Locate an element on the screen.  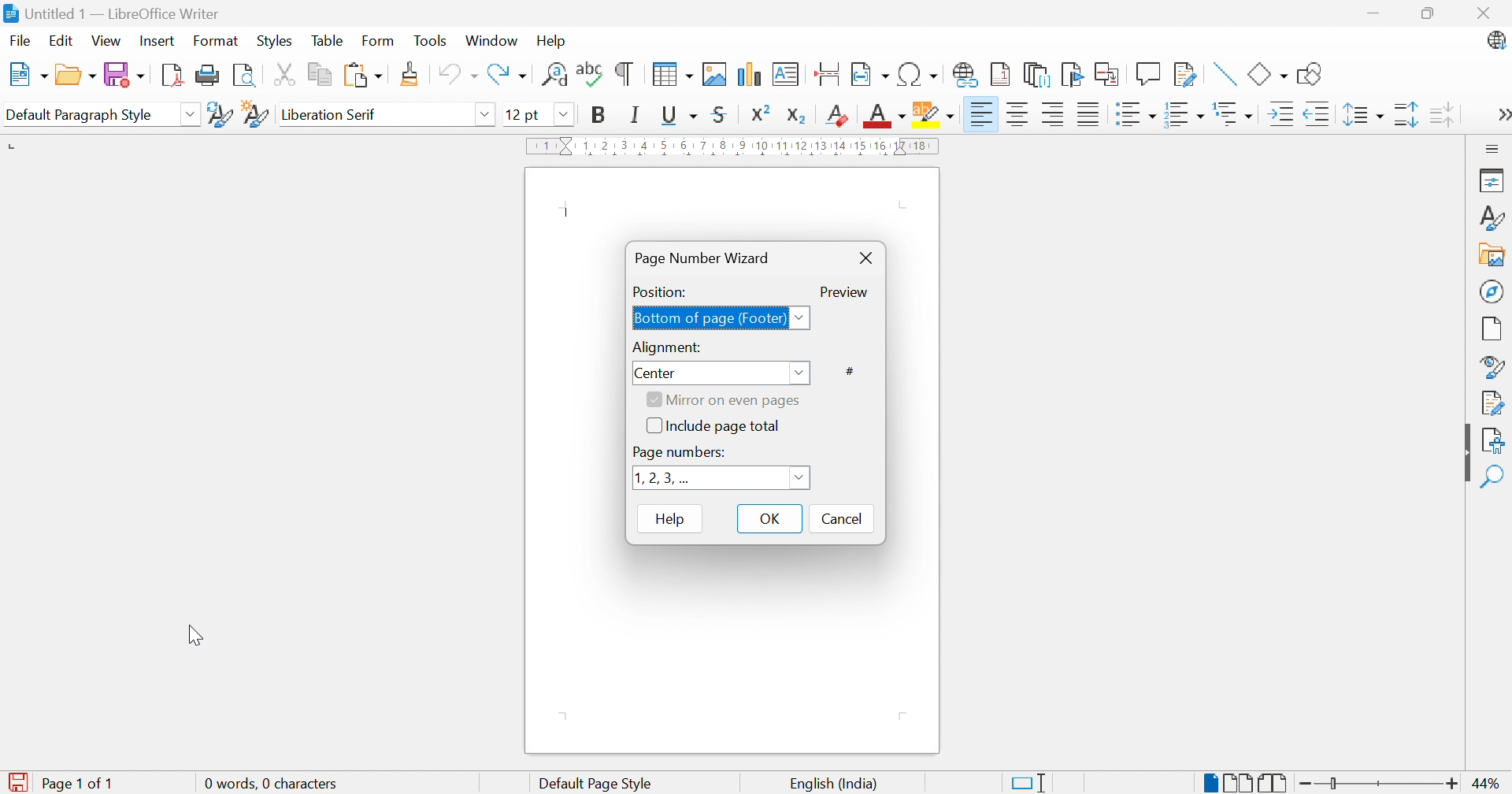
Toggle unordered list is located at coordinates (1134, 114).